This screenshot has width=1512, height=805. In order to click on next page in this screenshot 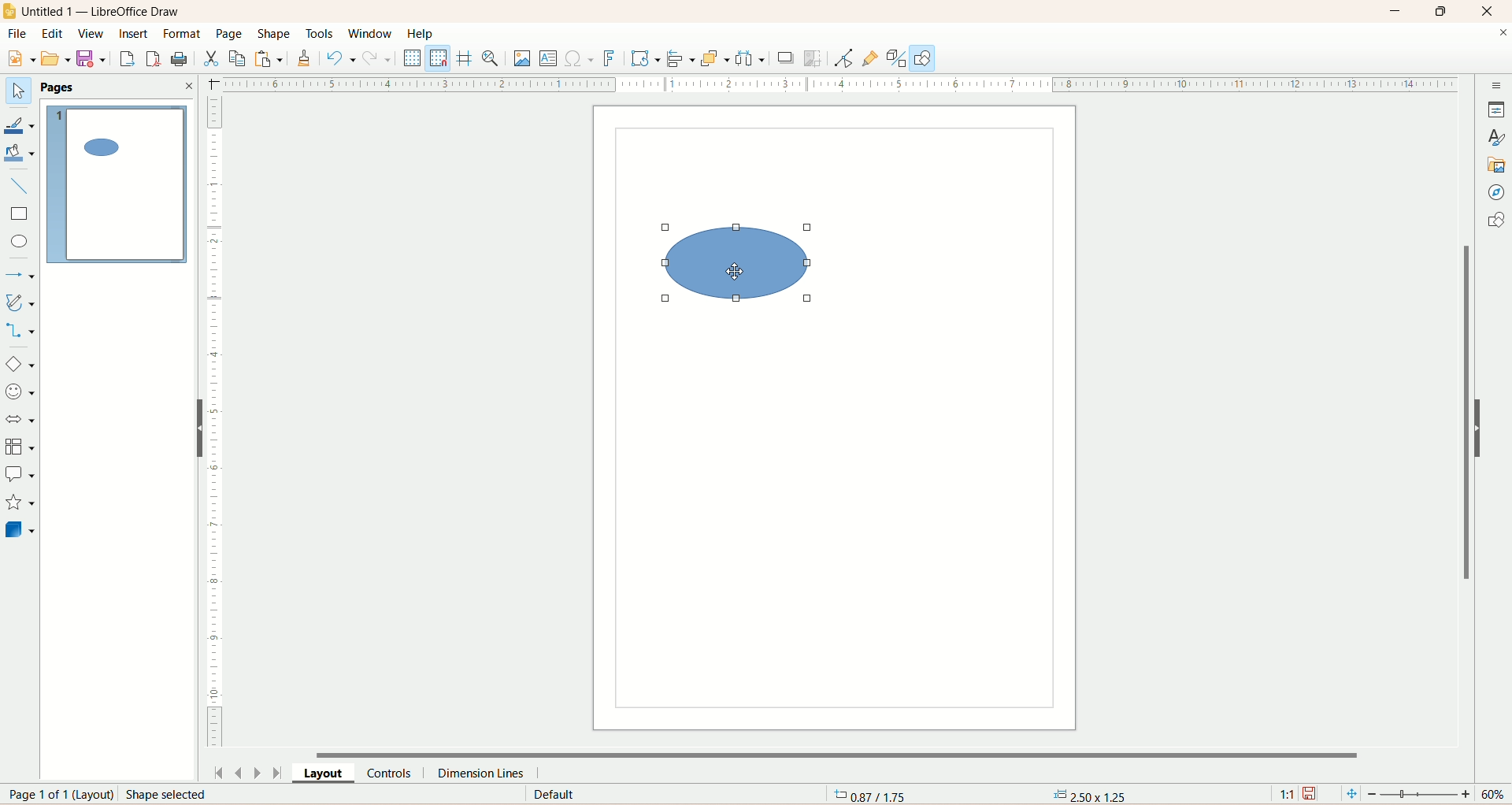, I will do `click(259, 773)`.